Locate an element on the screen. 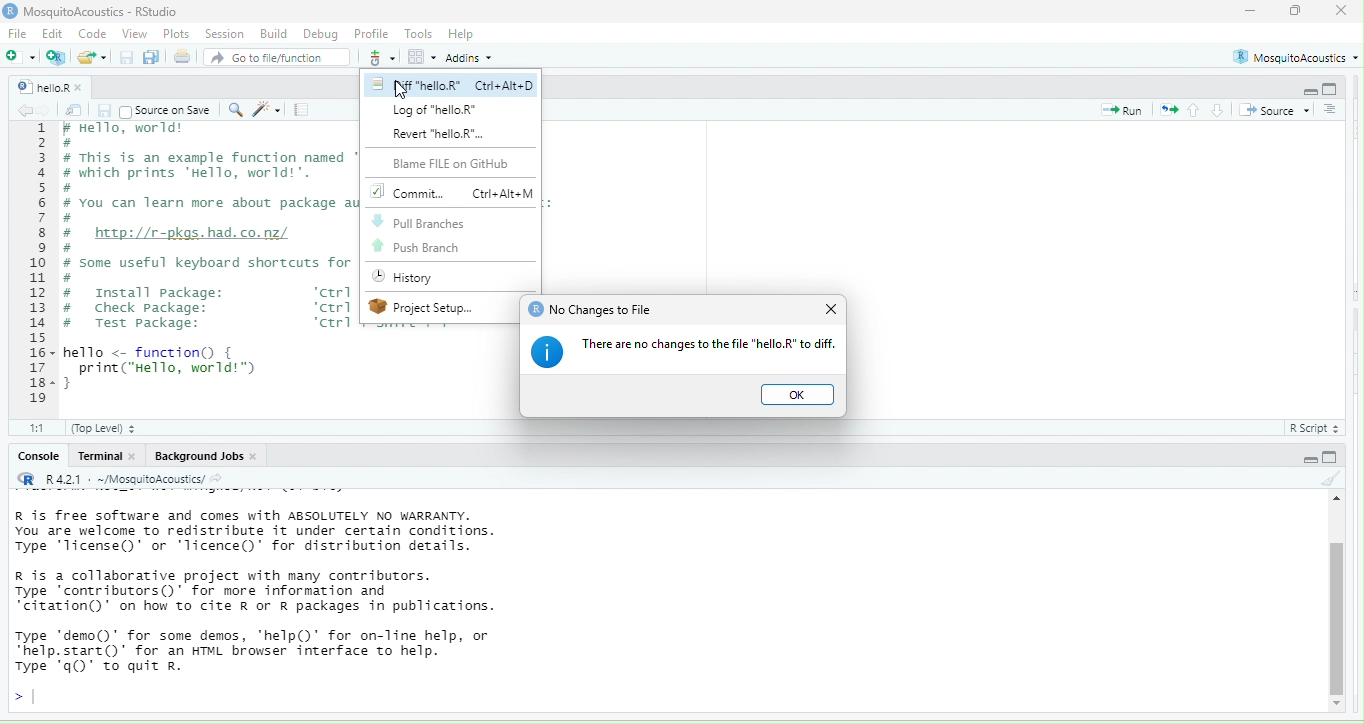 The image size is (1364, 724). go to next section/chunk is located at coordinates (1216, 111).